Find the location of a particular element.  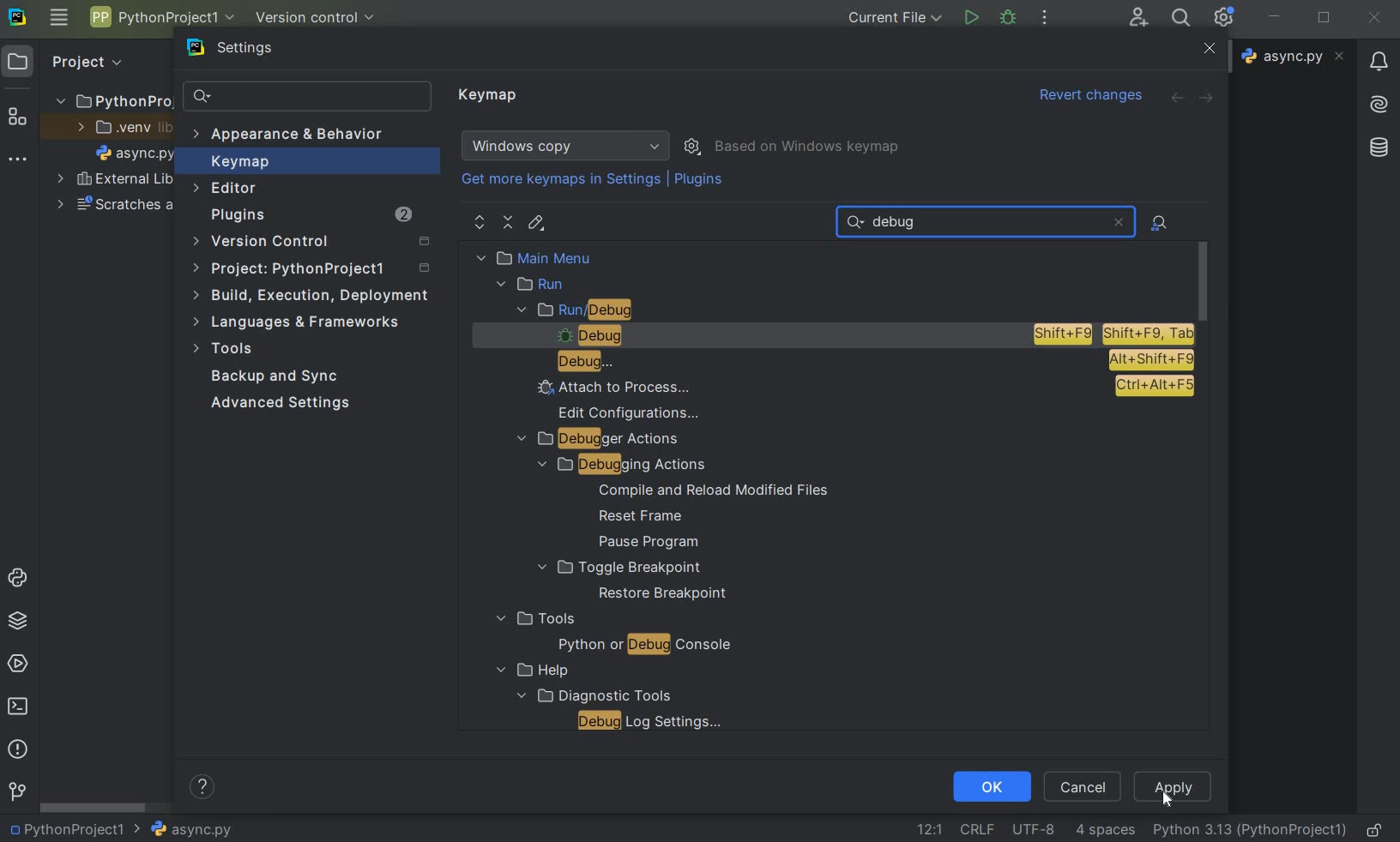

file encoding is located at coordinates (1035, 828).